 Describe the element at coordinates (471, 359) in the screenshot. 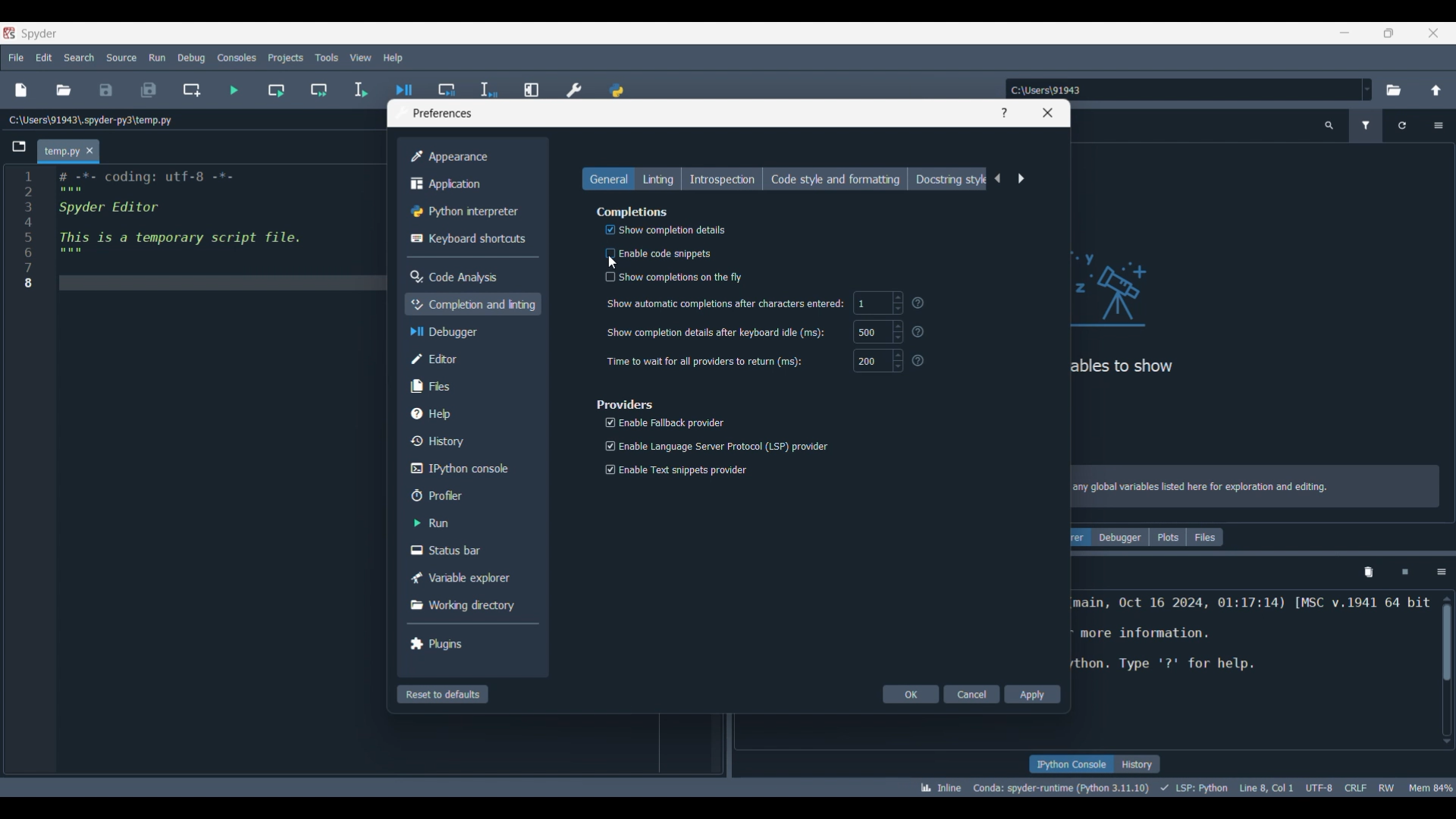

I see `Editor` at that location.